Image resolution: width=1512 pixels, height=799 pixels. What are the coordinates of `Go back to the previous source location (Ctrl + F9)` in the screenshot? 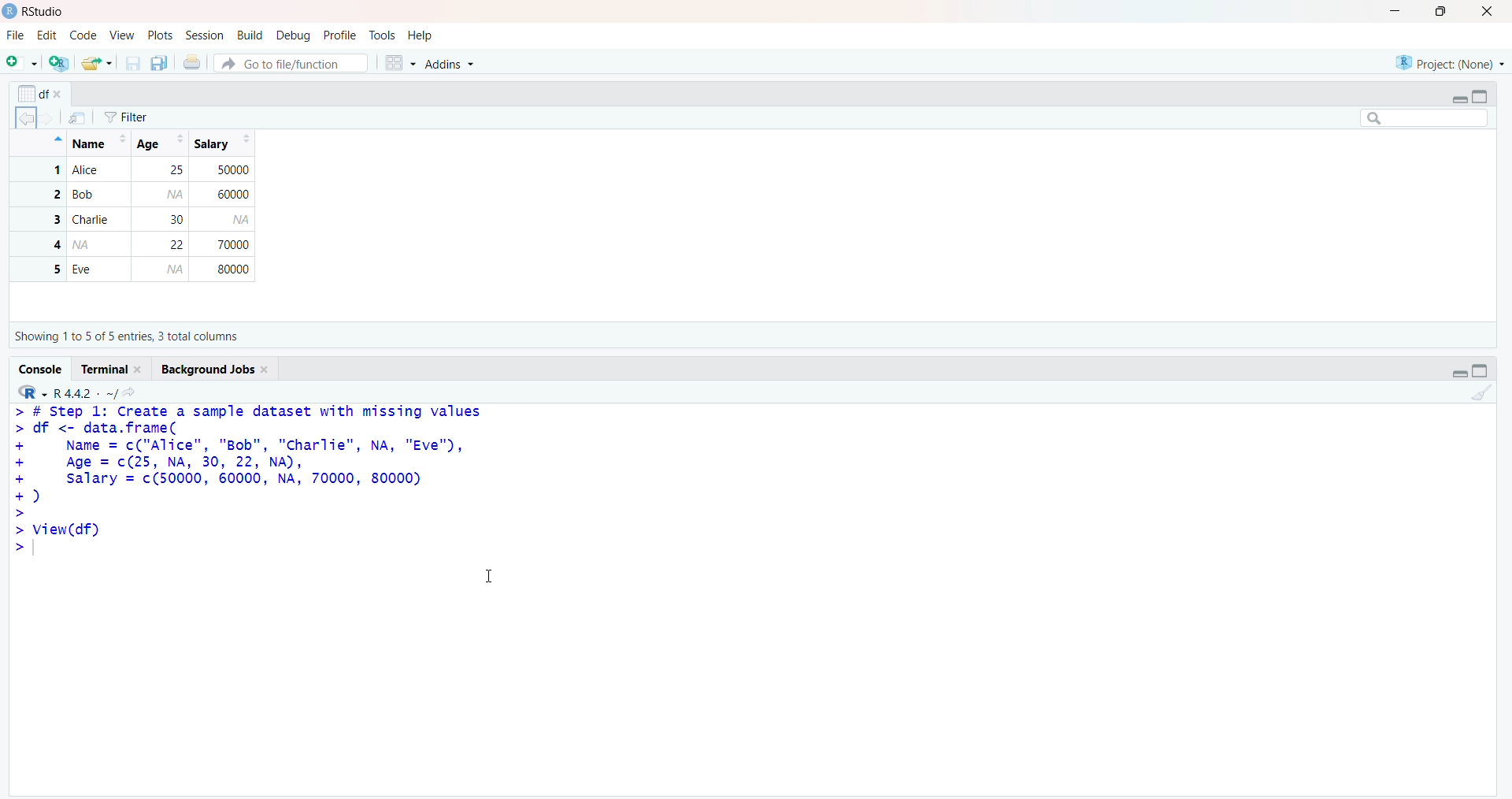 It's located at (22, 121).